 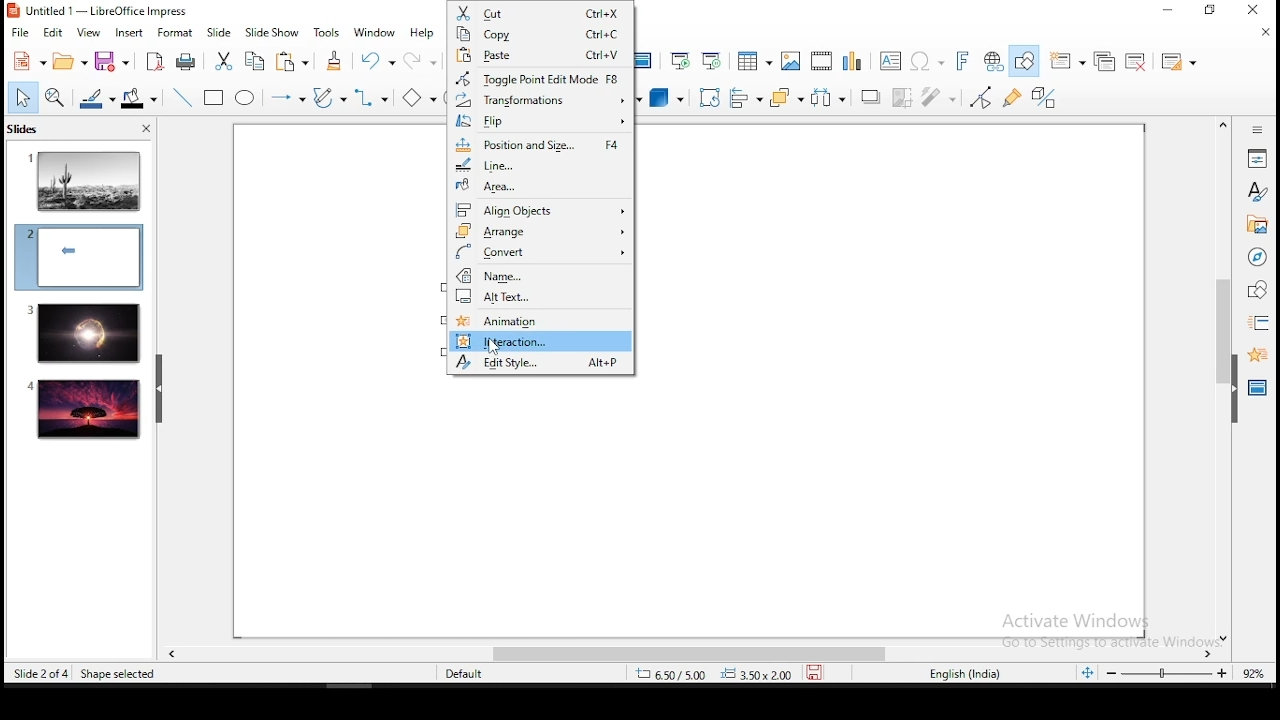 I want to click on styles, so click(x=1257, y=191).